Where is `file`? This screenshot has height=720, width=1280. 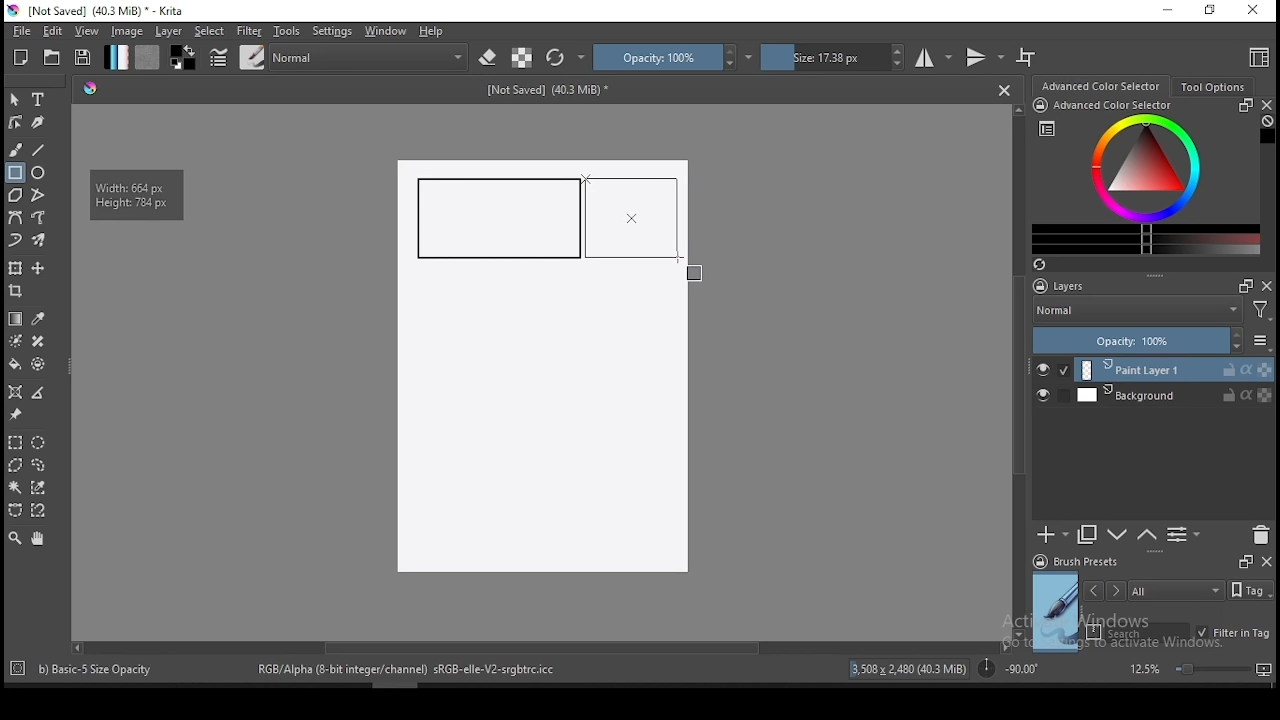 file is located at coordinates (21, 31).